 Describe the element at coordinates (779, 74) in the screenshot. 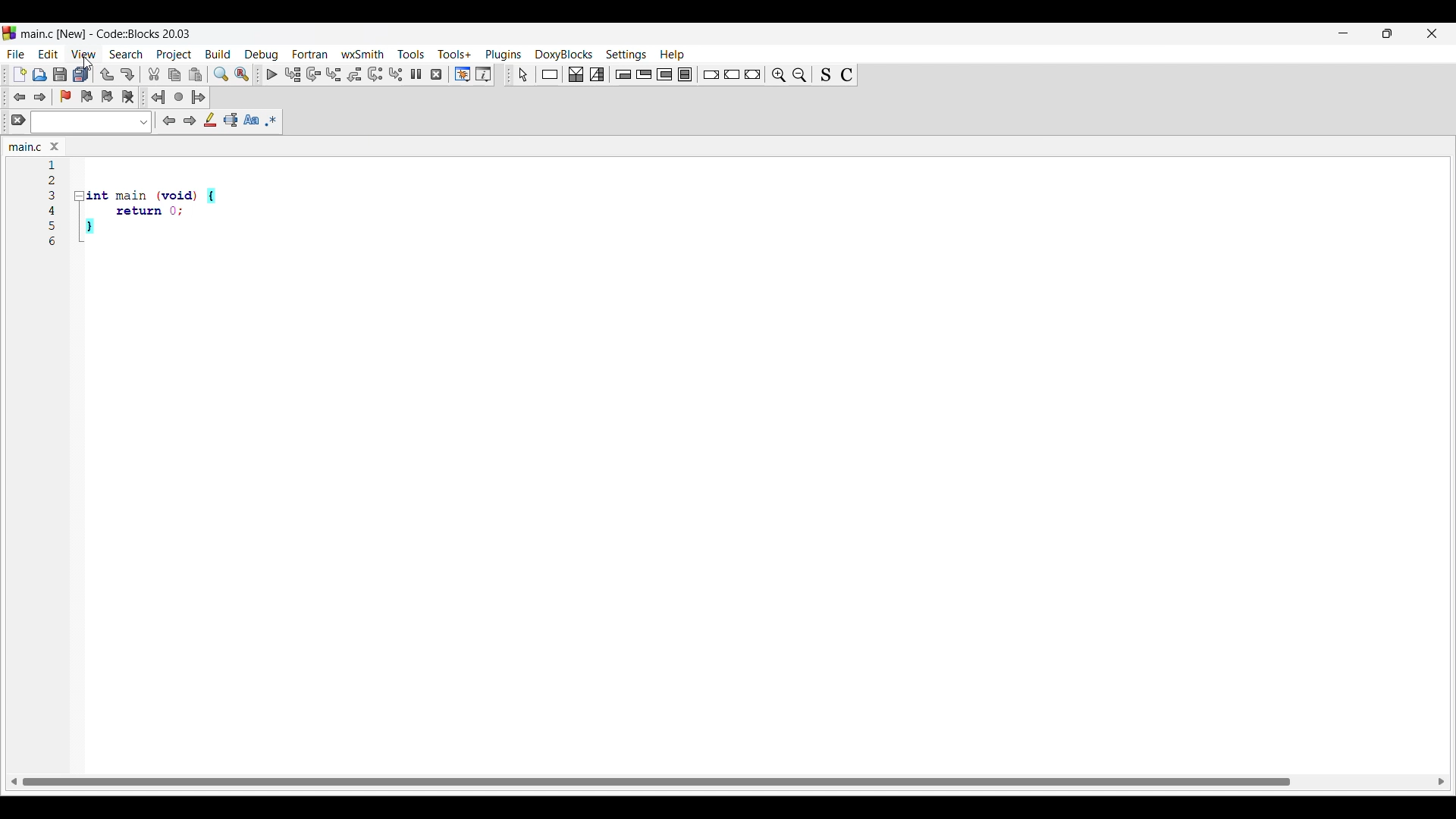

I see `Zoom in` at that location.